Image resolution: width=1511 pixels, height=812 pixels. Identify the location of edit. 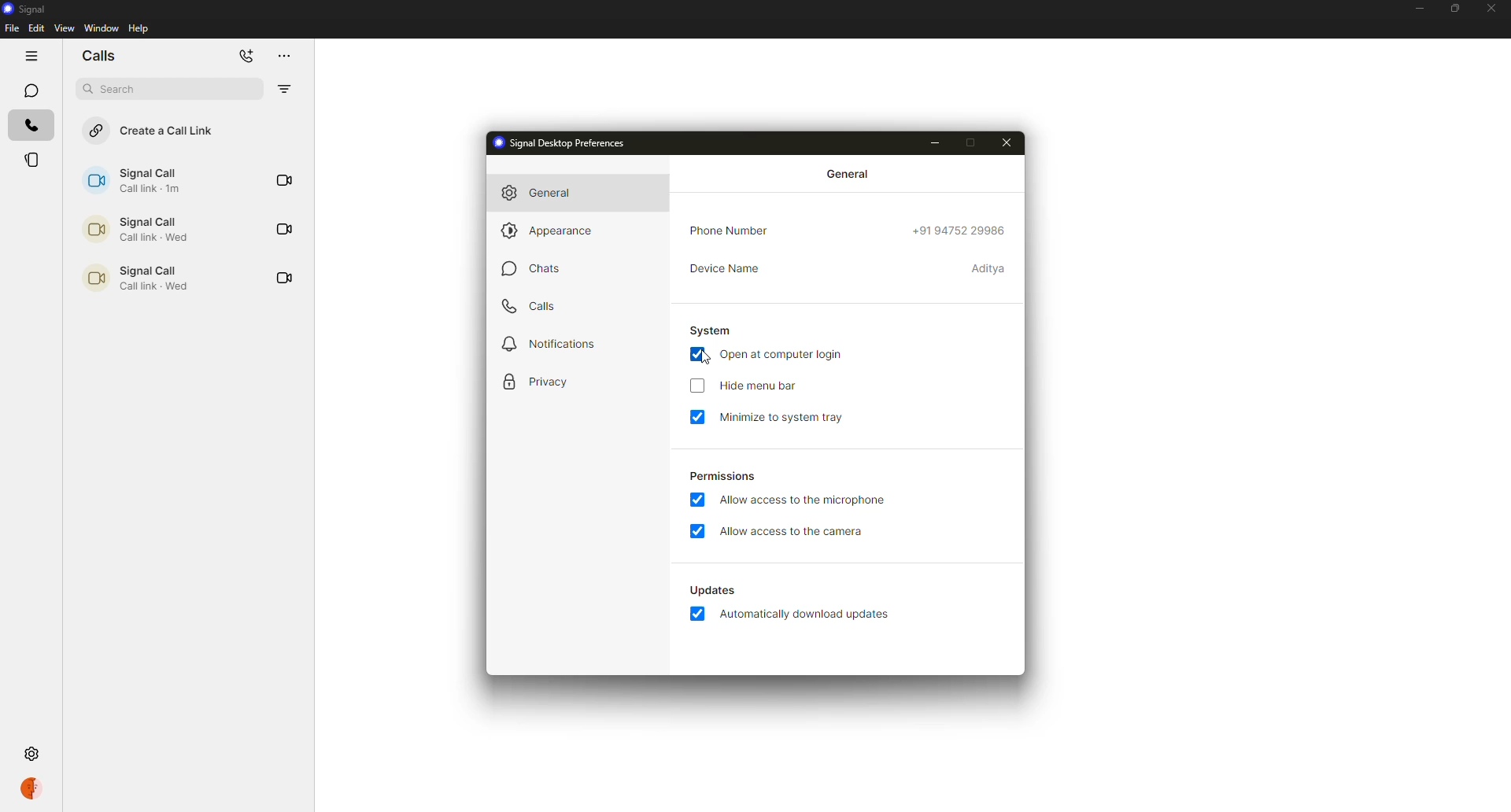
(37, 28).